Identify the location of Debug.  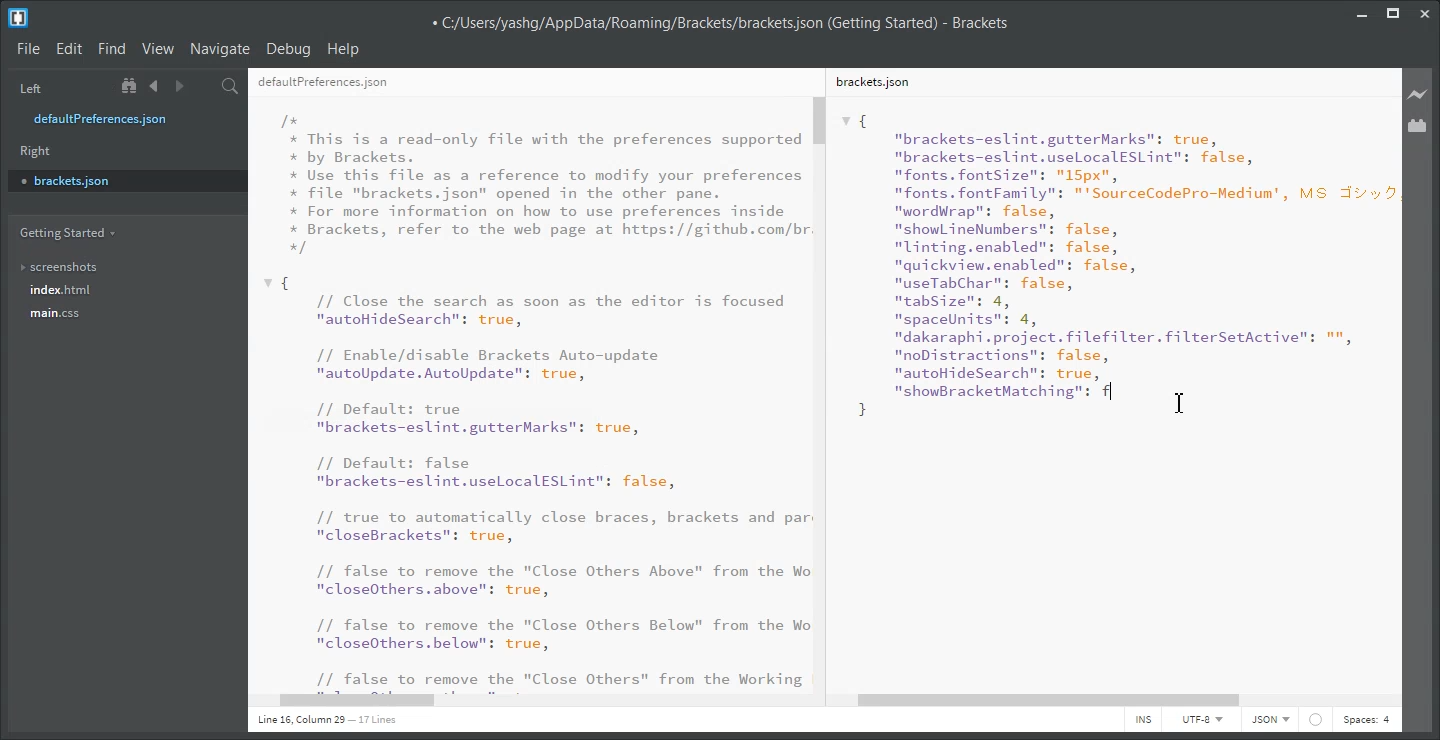
(289, 50).